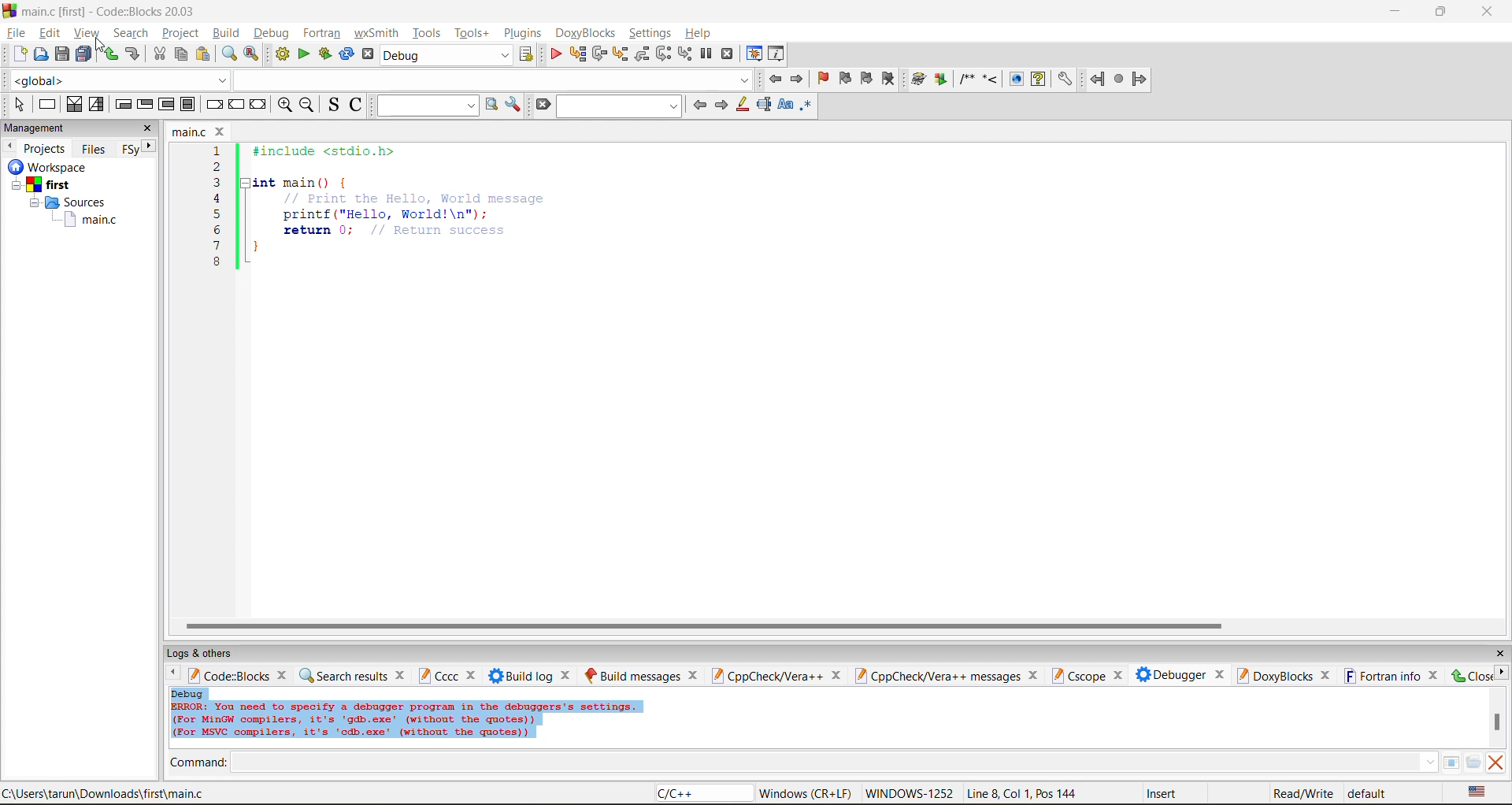 The height and width of the screenshot is (805, 1512). What do you see at coordinates (1280, 675) in the screenshot?
I see `doxyblocks` at bounding box center [1280, 675].